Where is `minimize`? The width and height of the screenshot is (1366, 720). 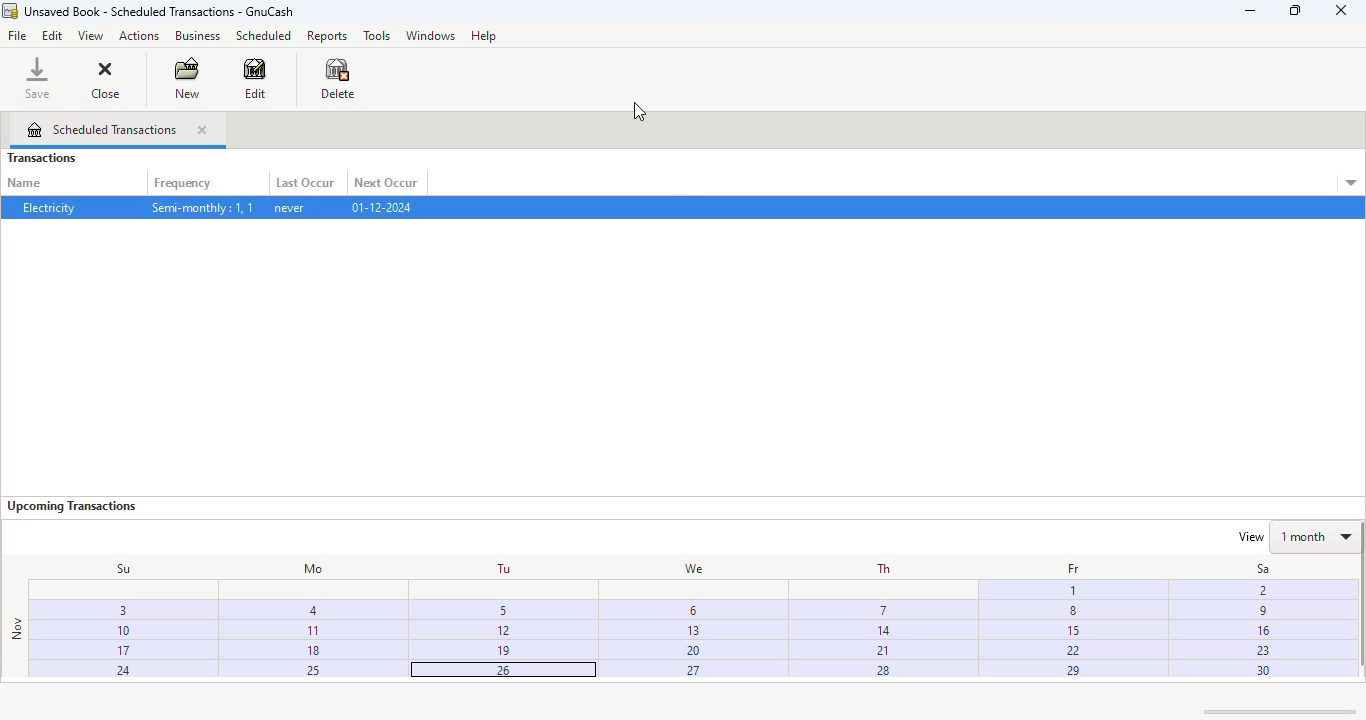
minimize is located at coordinates (1250, 11).